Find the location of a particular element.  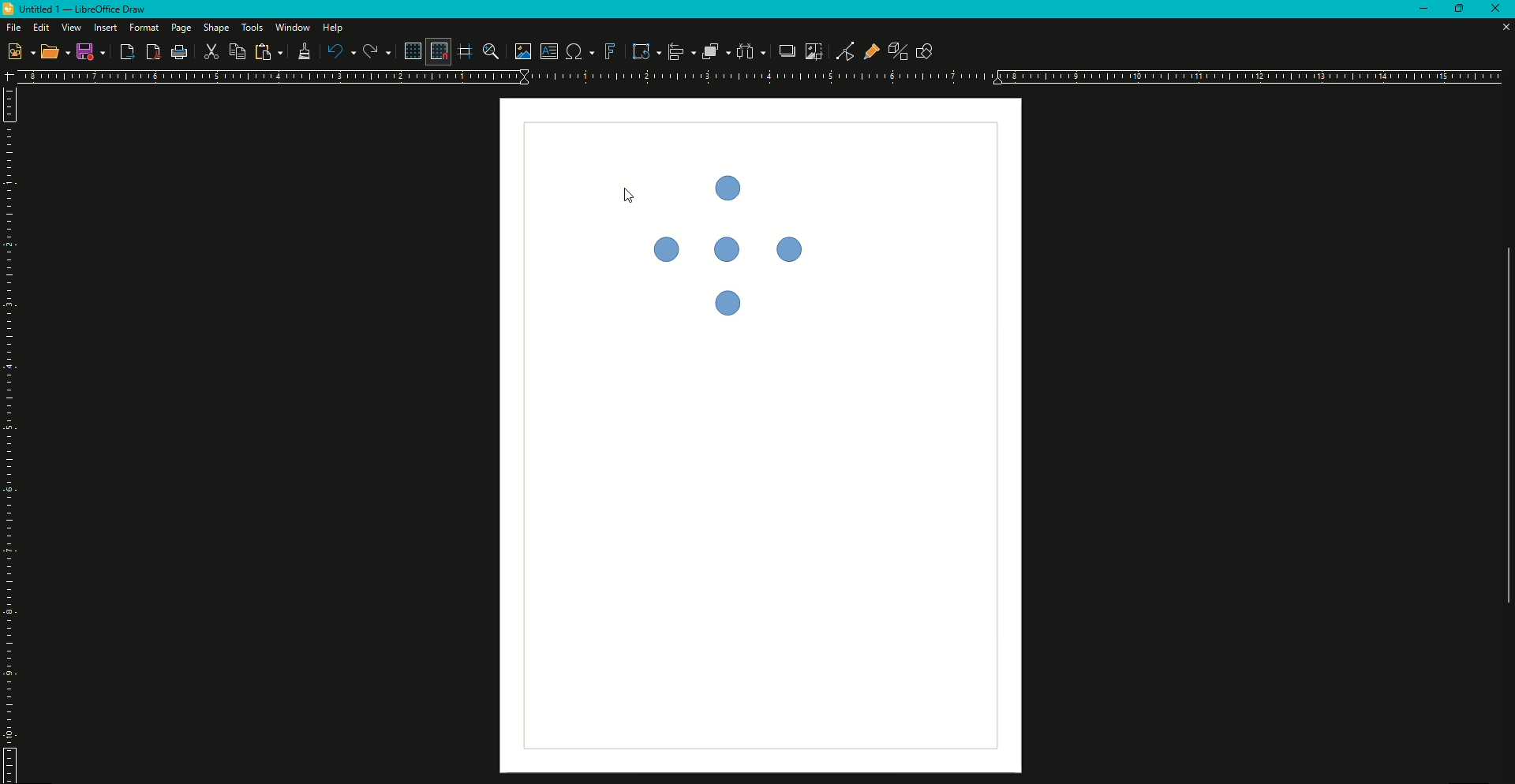

Tools is located at coordinates (253, 28).